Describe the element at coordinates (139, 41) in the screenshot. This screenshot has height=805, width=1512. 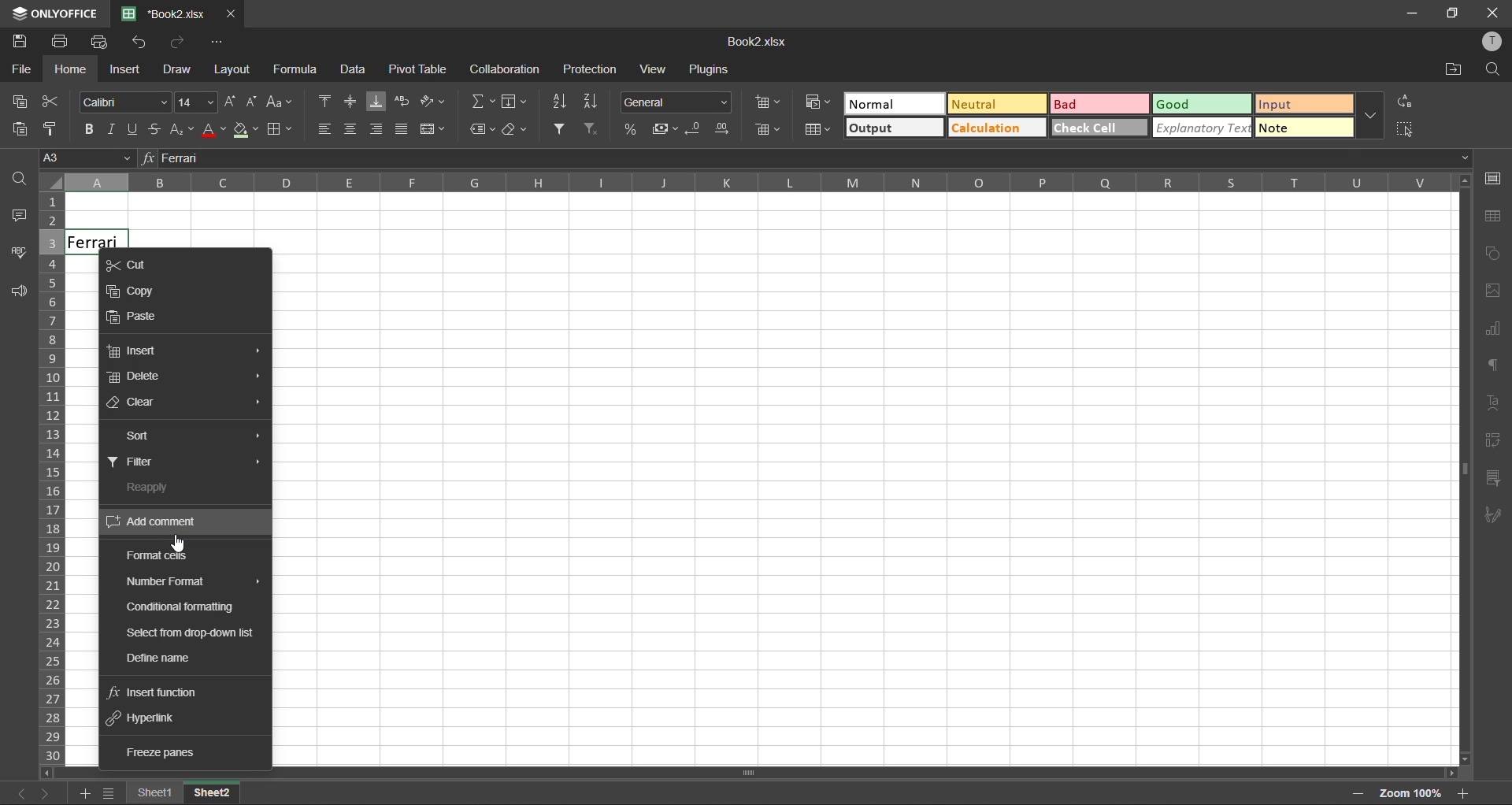
I see `undo` at that location.